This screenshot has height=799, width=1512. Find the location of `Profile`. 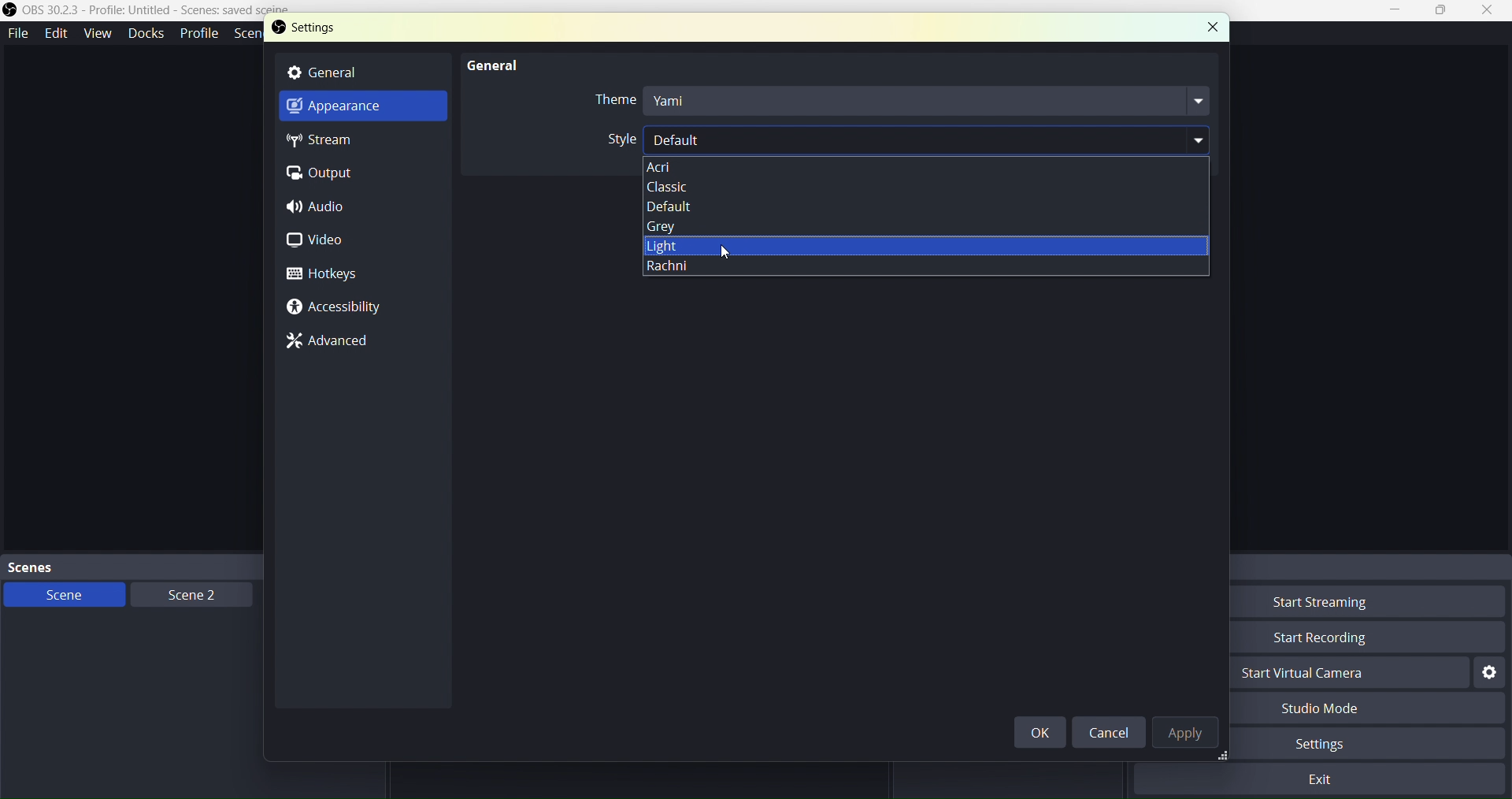

Profile is located at coordinates (199, 33).